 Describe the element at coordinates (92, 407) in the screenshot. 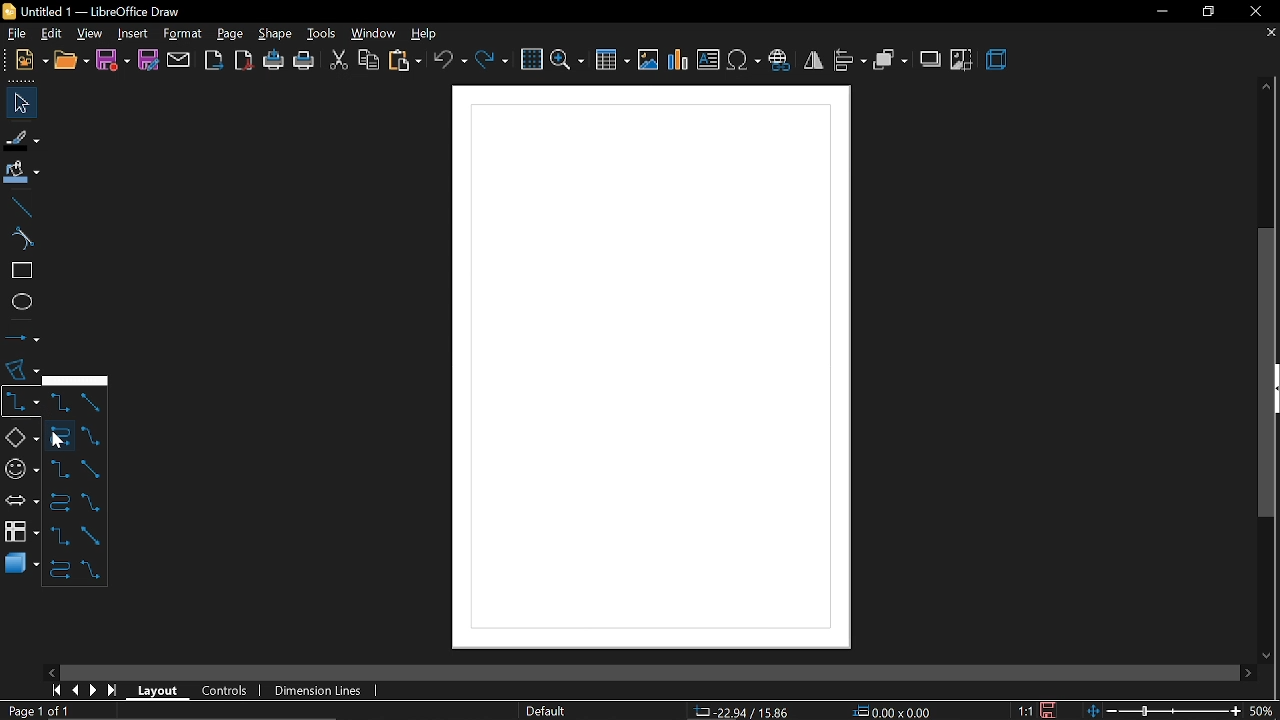

I see `straight connector` at that location.